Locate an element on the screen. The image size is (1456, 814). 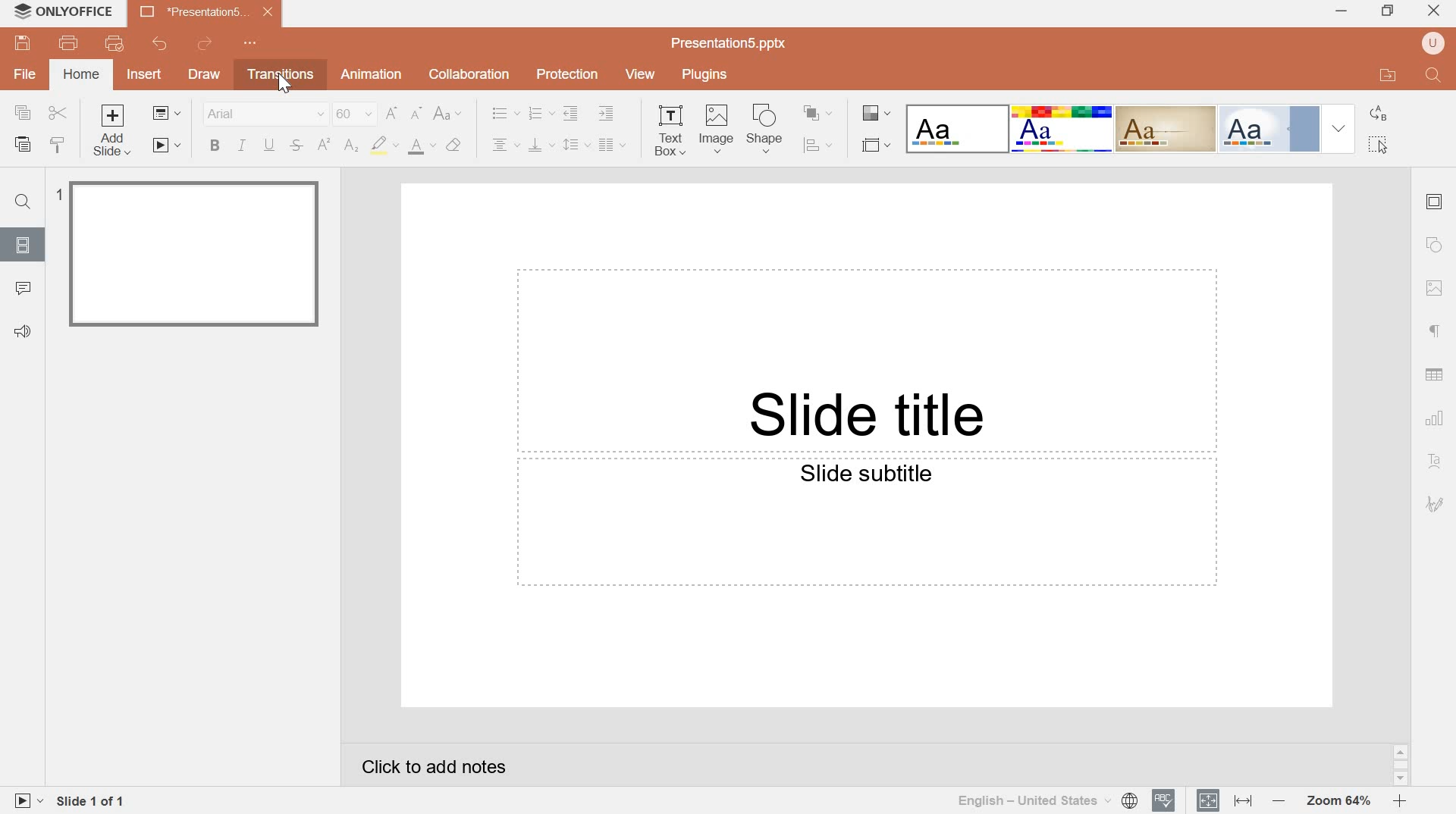
paste is located at coordinates (23, 145).